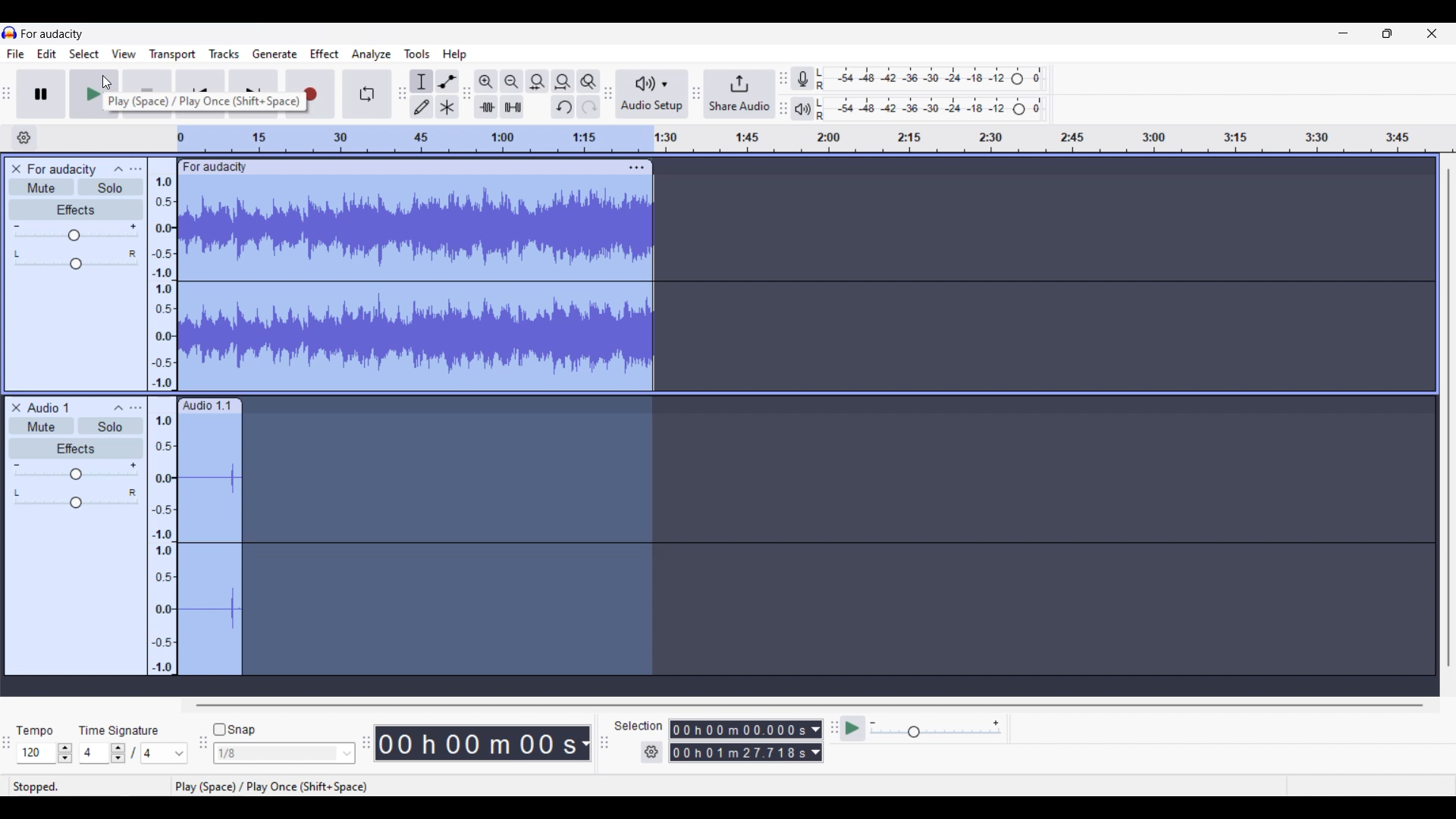 The width and height of the screenshot is (1456, 819). Describe the element at coordinates (40, 94) in the screenshot. I see `Pause` at that location.